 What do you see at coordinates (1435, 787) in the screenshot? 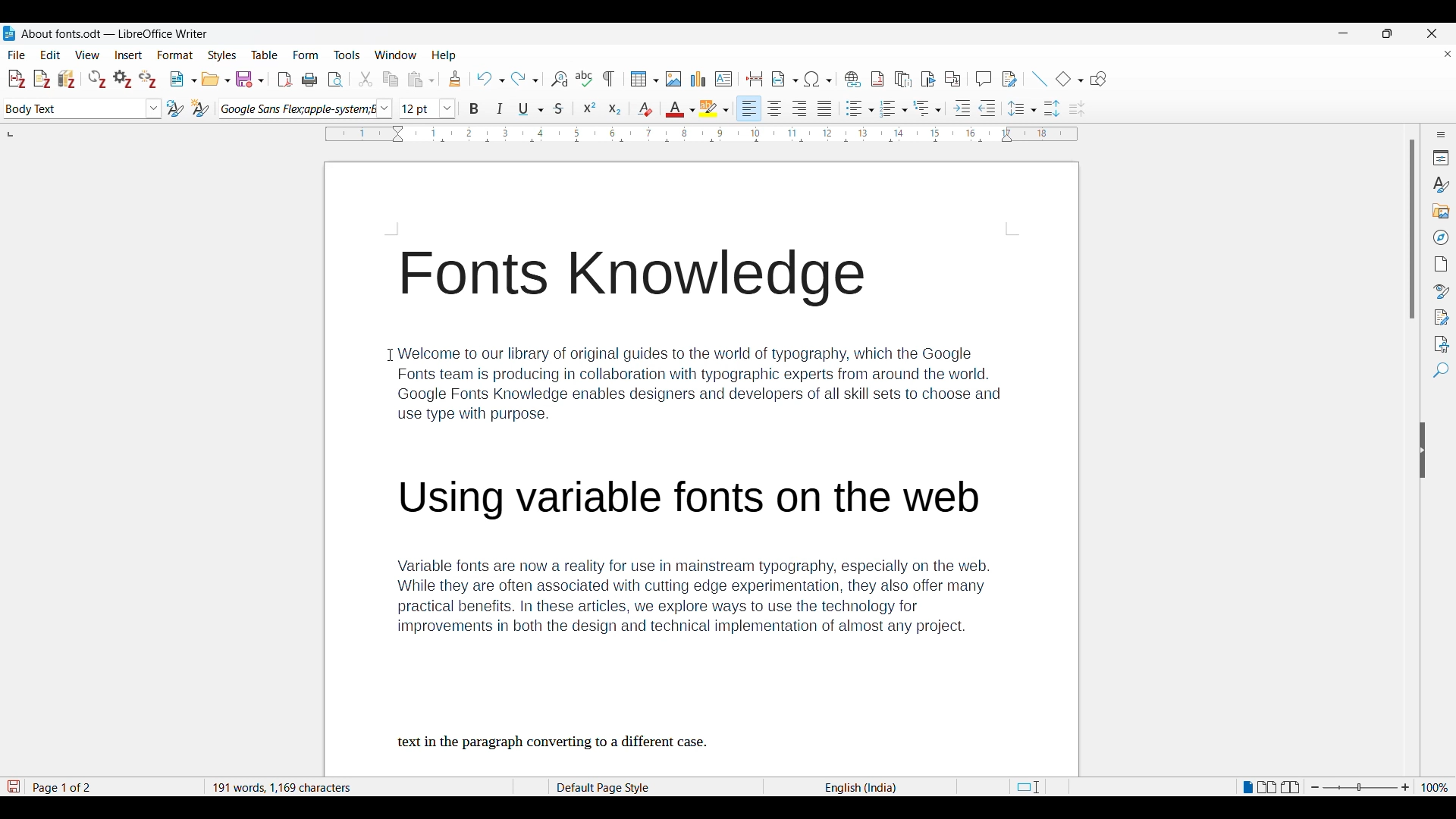
I see `Current zoom factor` at bounding box center [1435, 787].